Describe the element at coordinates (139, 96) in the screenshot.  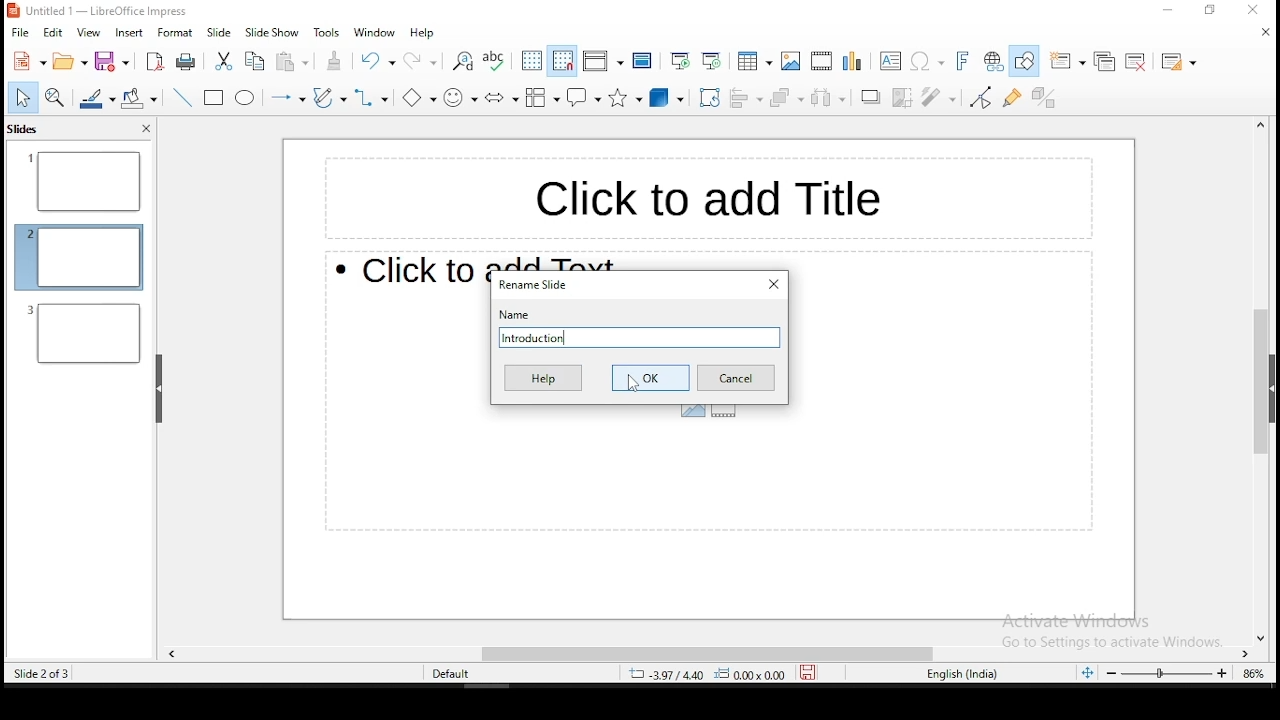
I see `paint bucket tool` at that location.